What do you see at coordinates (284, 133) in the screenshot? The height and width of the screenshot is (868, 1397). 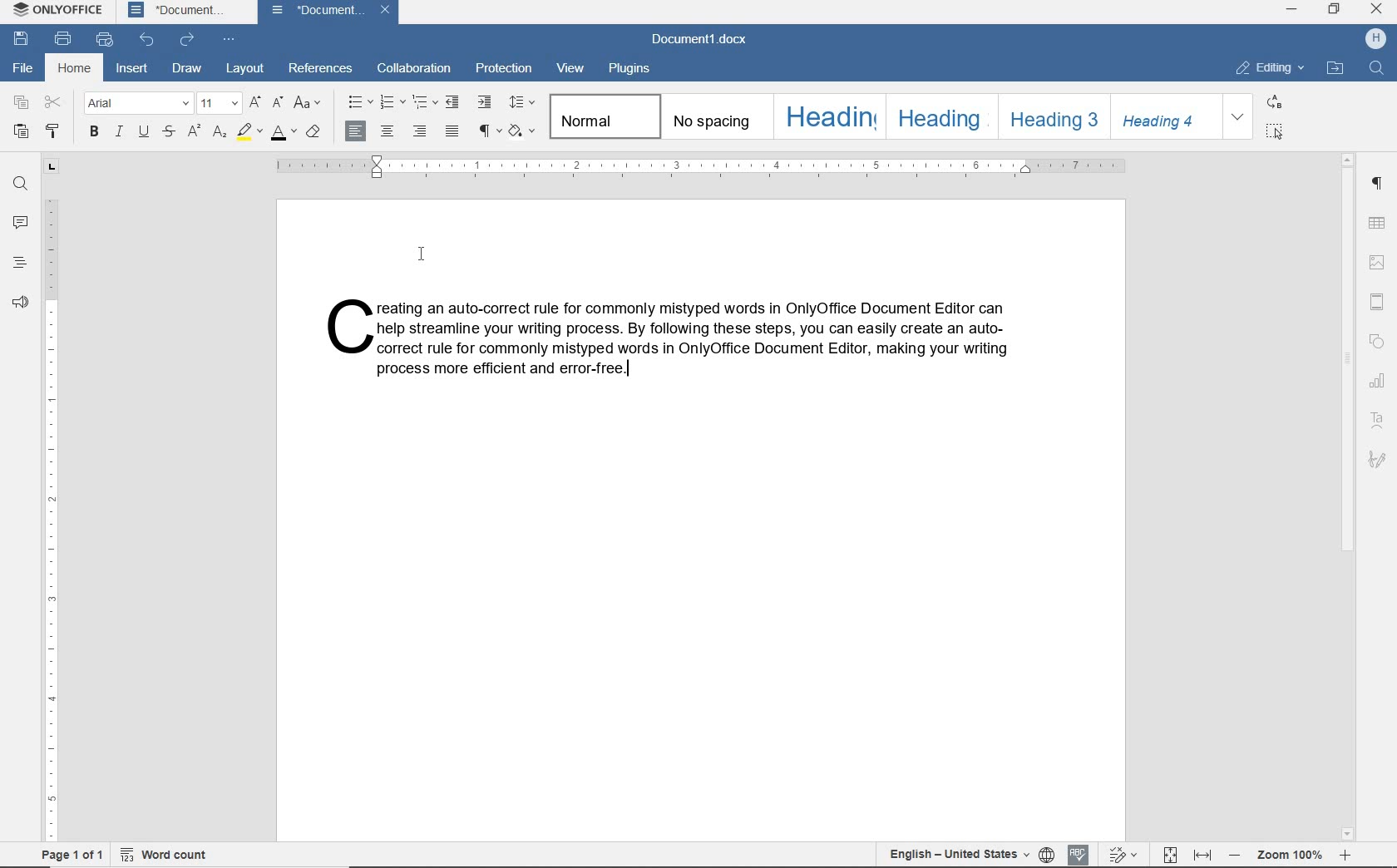 I see `FONT COLOR` at bounding box center [284, 133].